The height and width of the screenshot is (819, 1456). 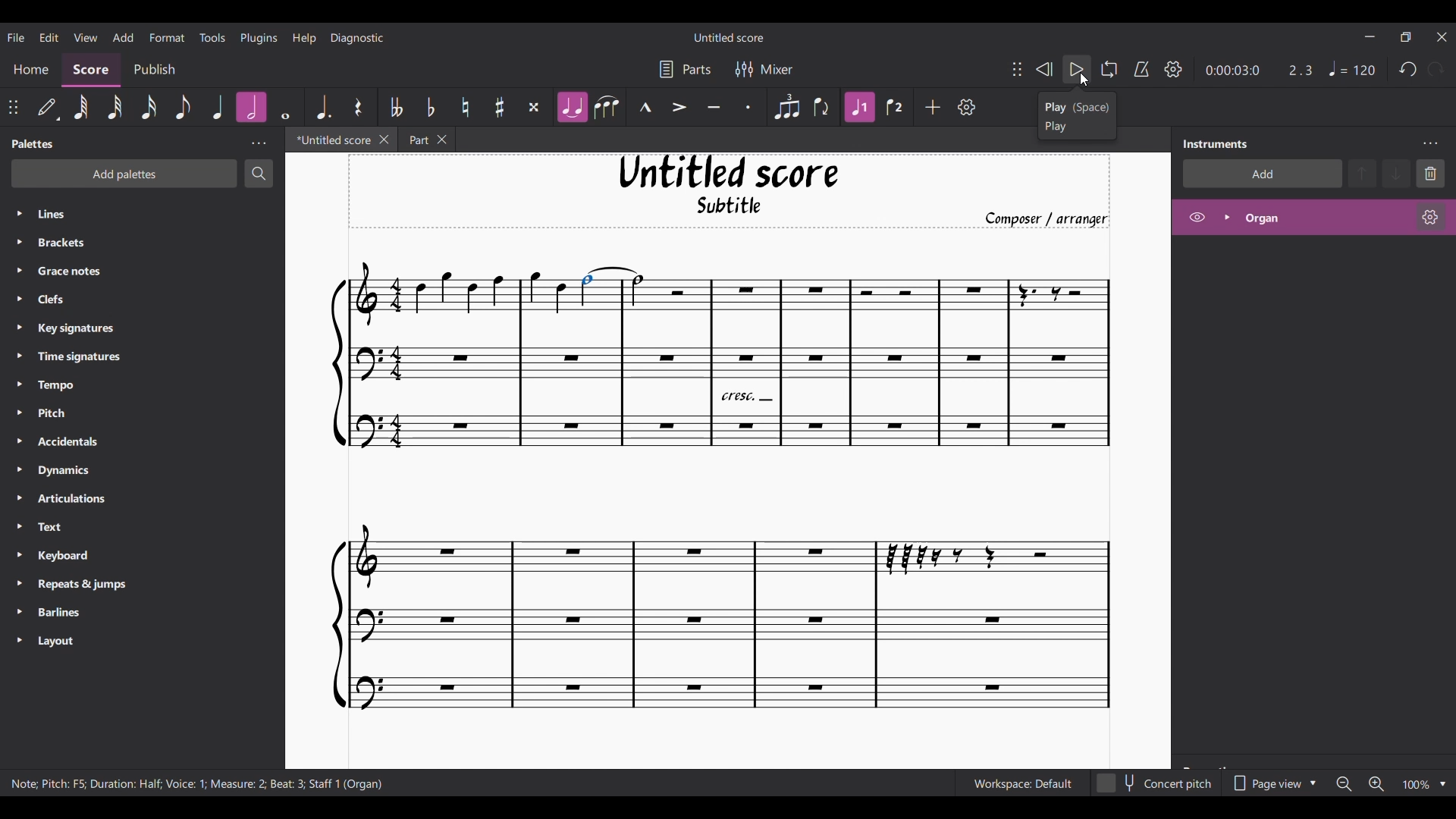 I want to click on Add, so click(x=933, y=107).